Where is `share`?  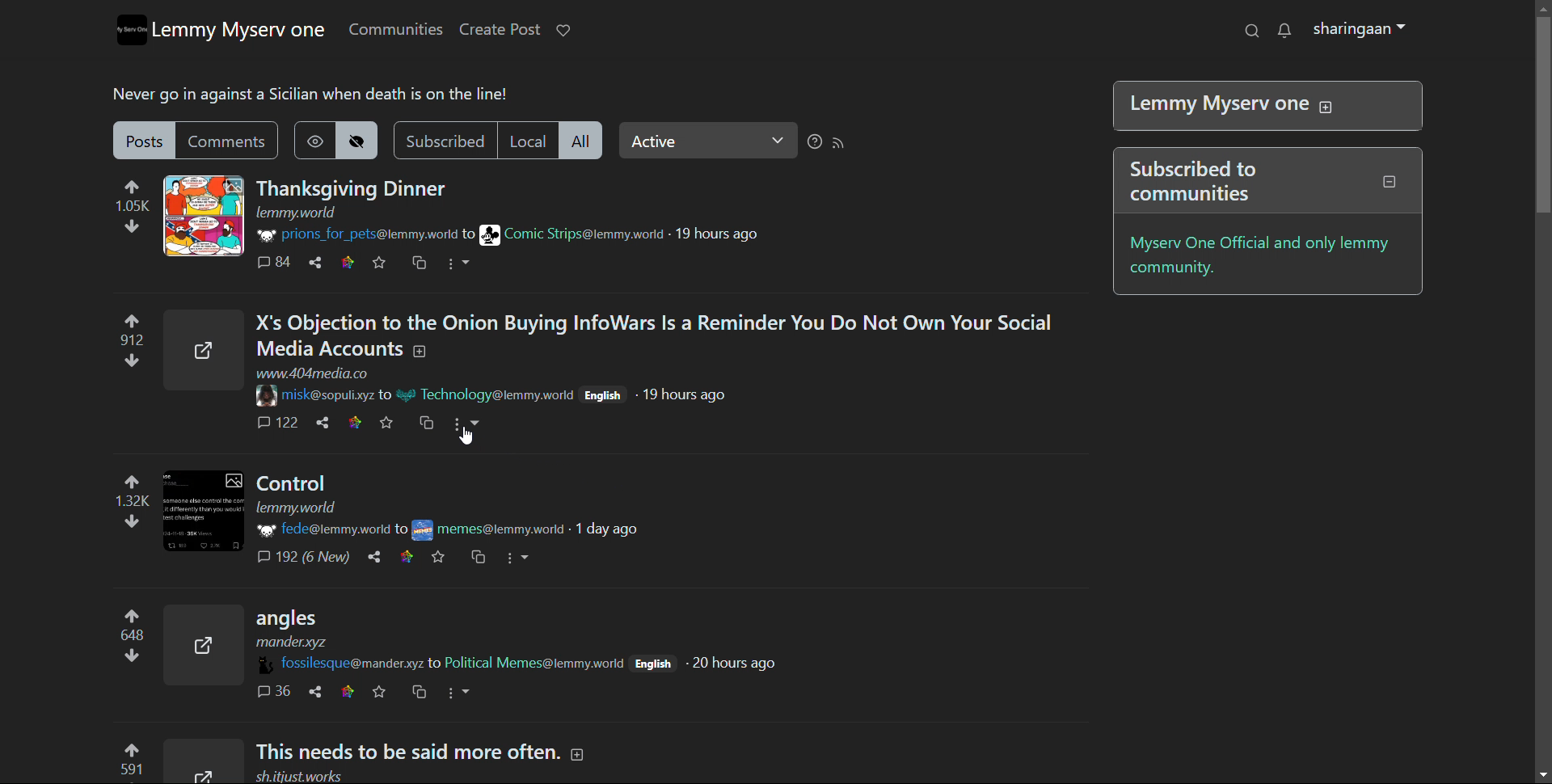
share is located at coordinates (310, 691).